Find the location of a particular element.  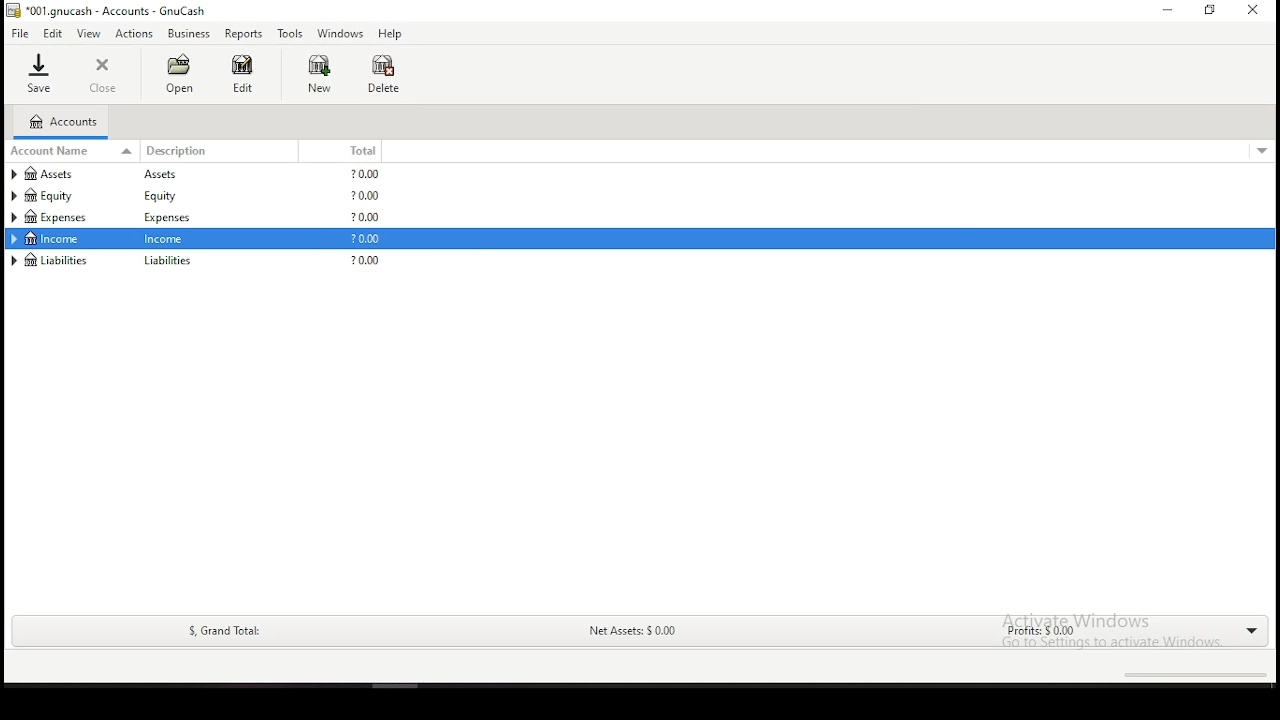

close window is located at coordinates (1254, 10).